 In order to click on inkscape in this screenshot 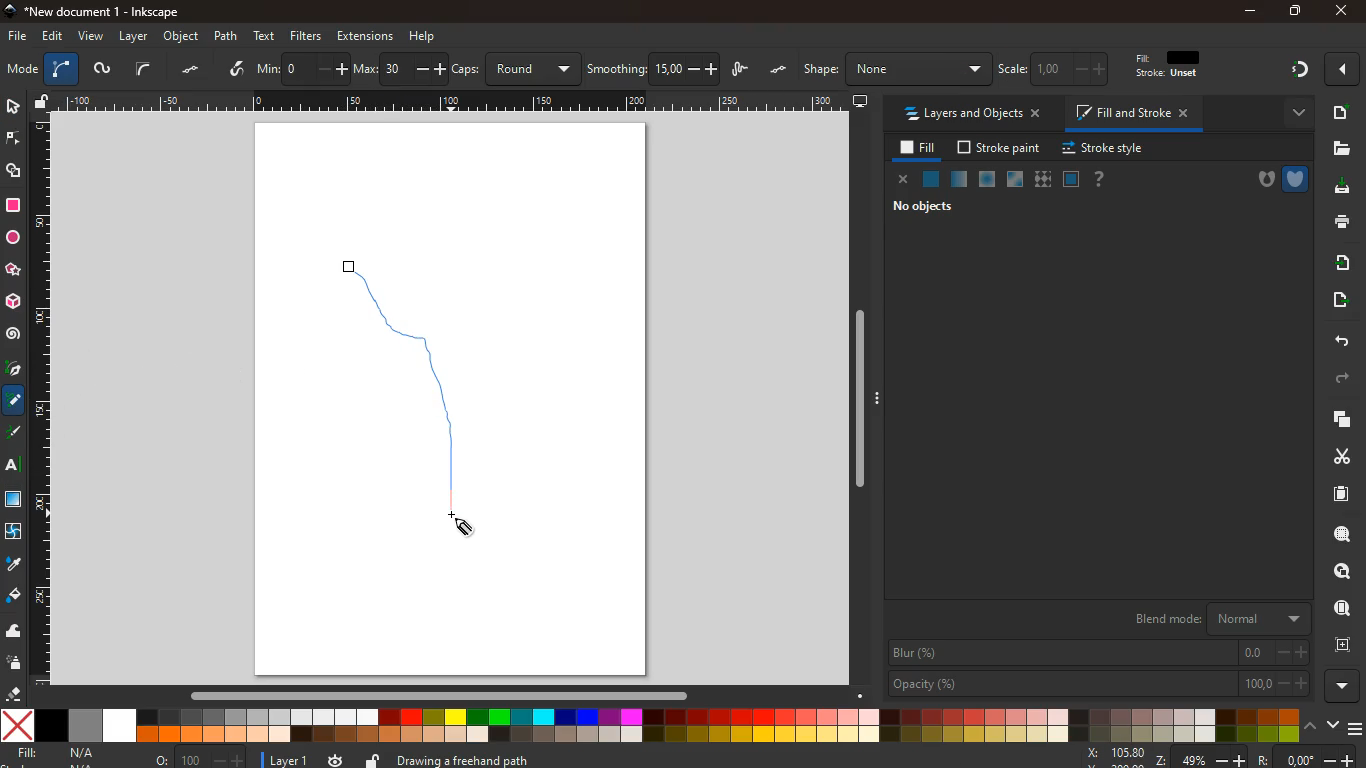, I will do `click(99, 10)`.